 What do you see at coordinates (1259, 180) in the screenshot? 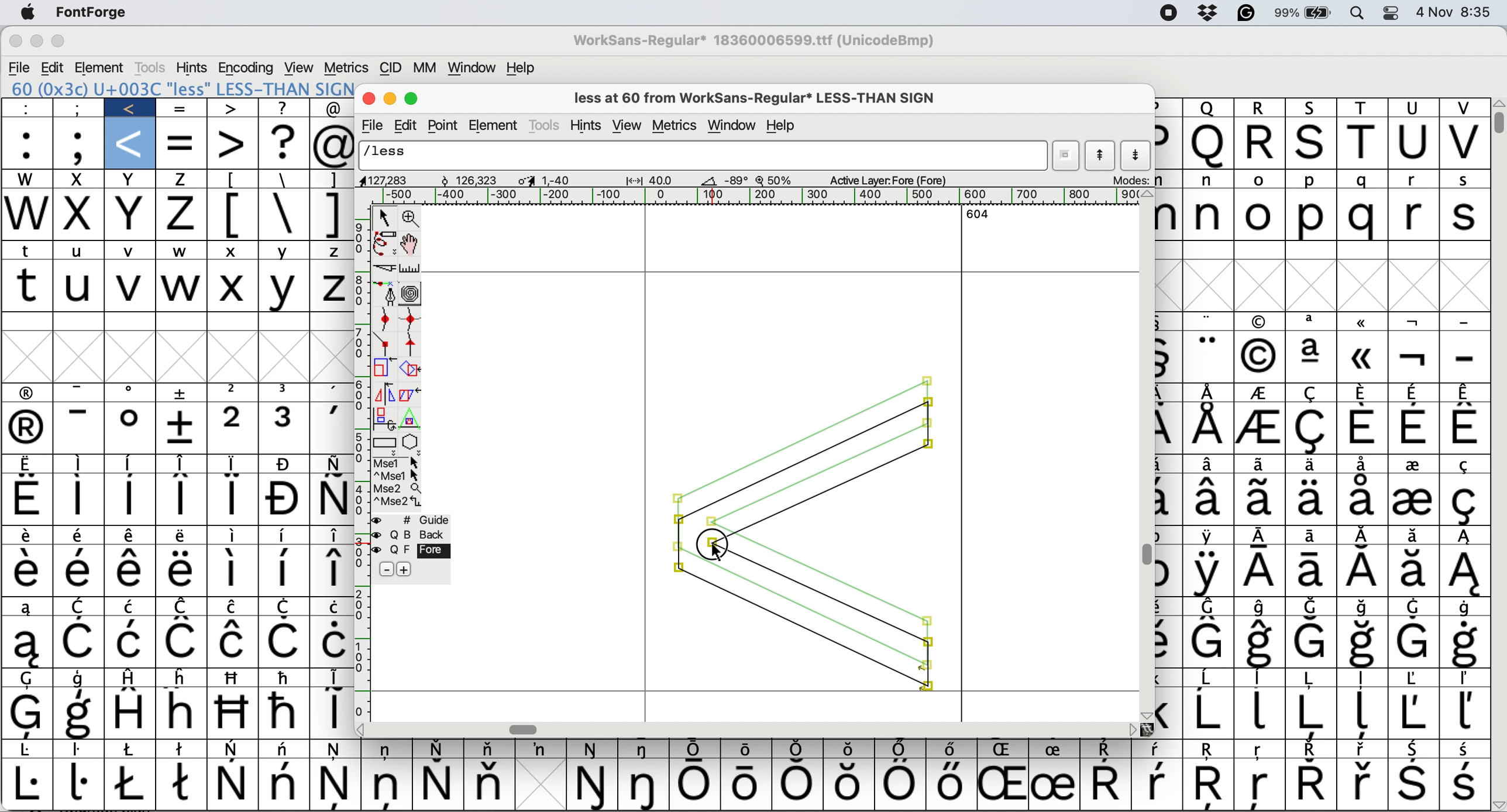
I see `o` at bounding box center [1259, 180].